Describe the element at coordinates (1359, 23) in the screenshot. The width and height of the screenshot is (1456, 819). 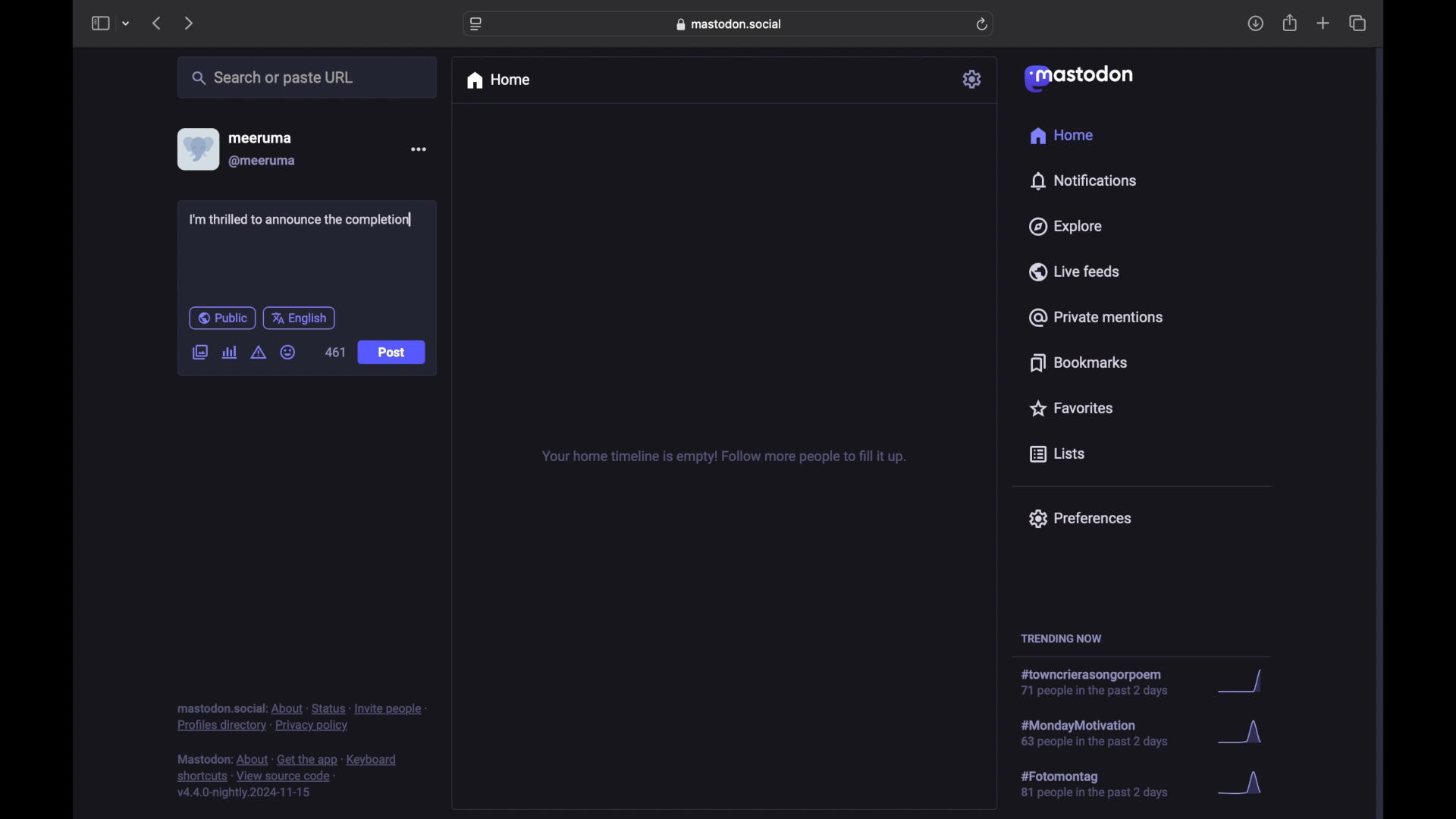
I see `show tab overview` at that location.